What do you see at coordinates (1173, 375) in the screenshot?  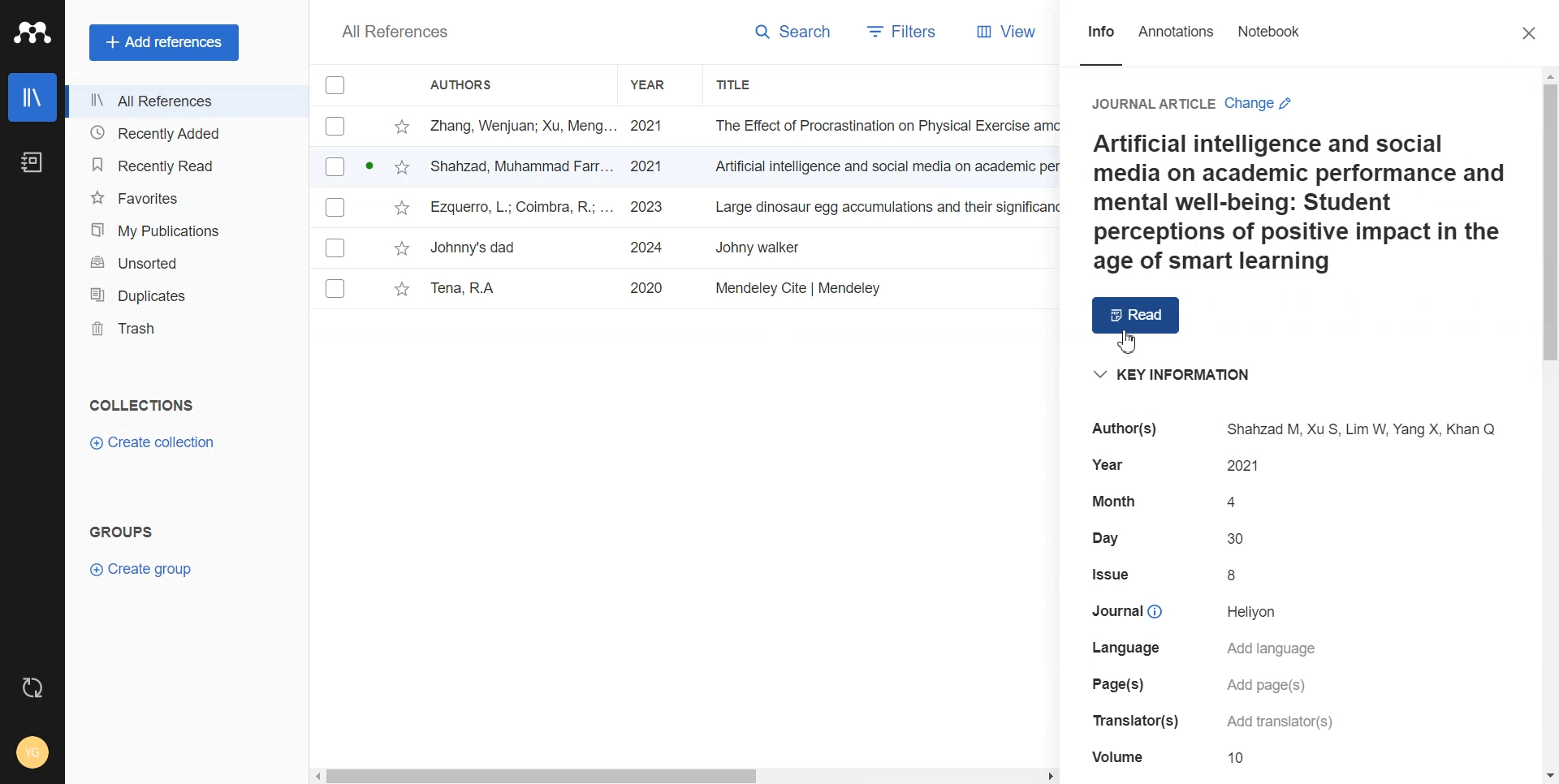 I see `Key information ` at bounding box center [1173, 375].